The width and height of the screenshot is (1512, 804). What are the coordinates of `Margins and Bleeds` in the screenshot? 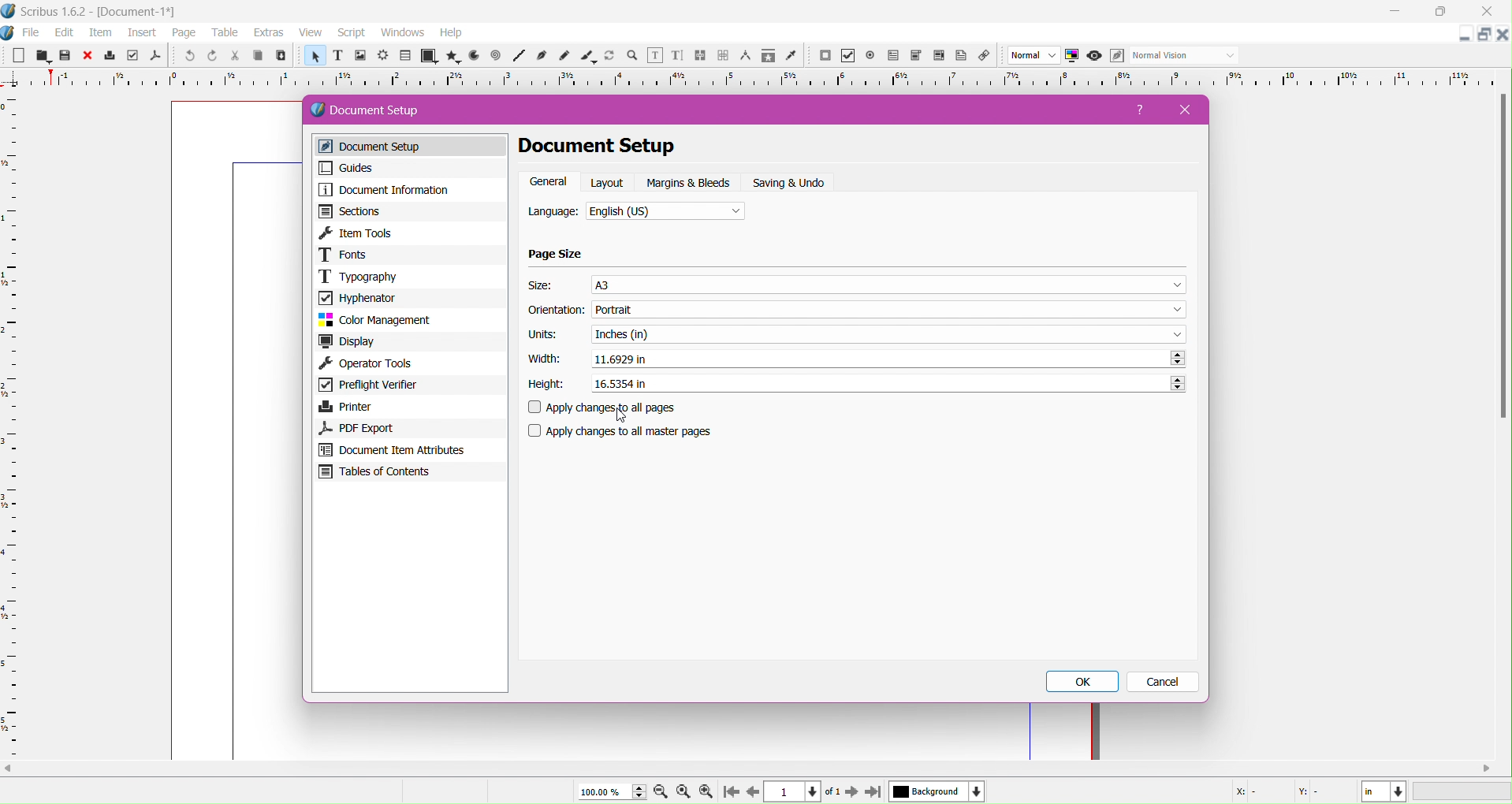 It's located at (690, 183).